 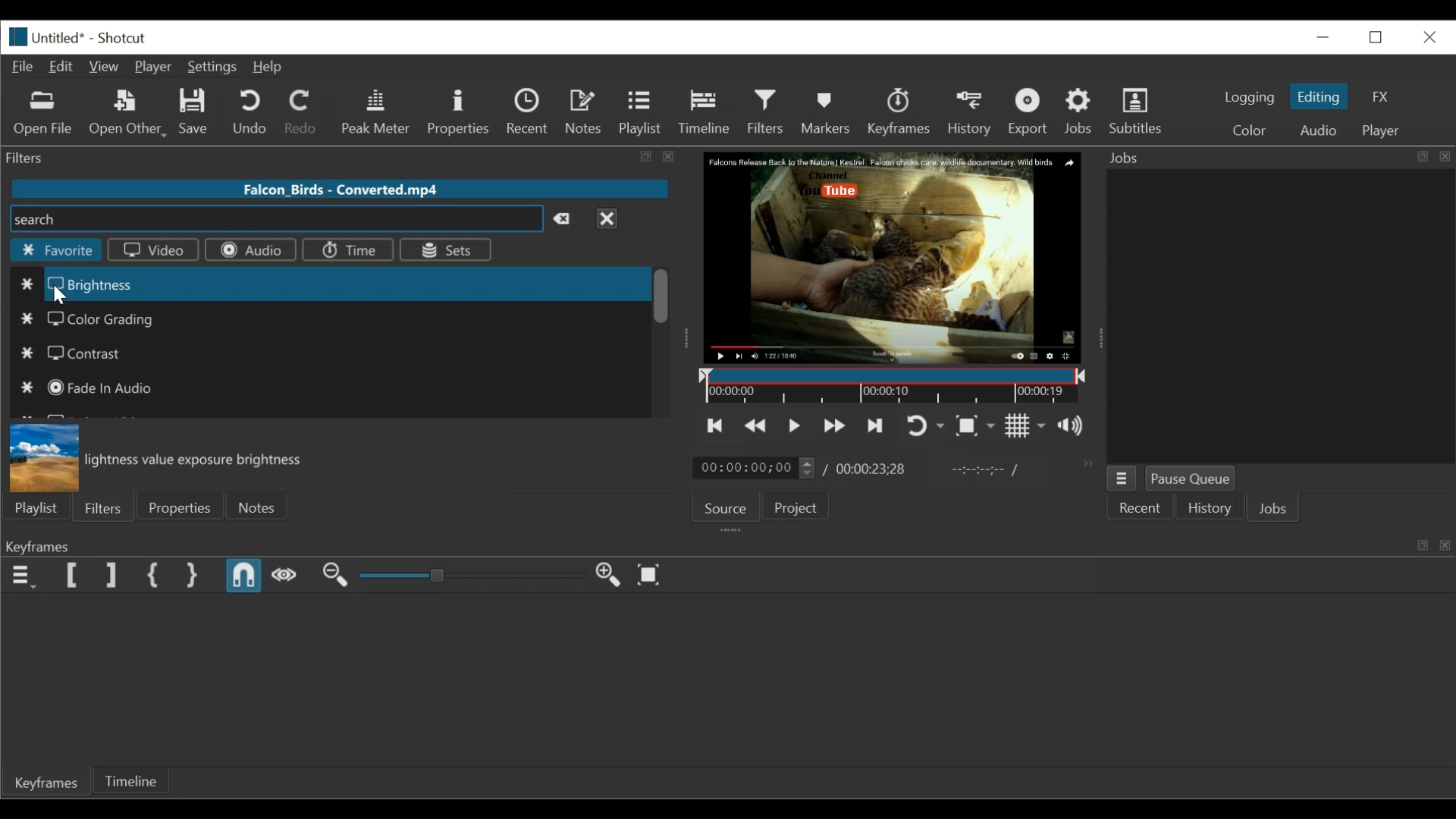 I want to click on Show the volume control, so click(x=1075, y=427).